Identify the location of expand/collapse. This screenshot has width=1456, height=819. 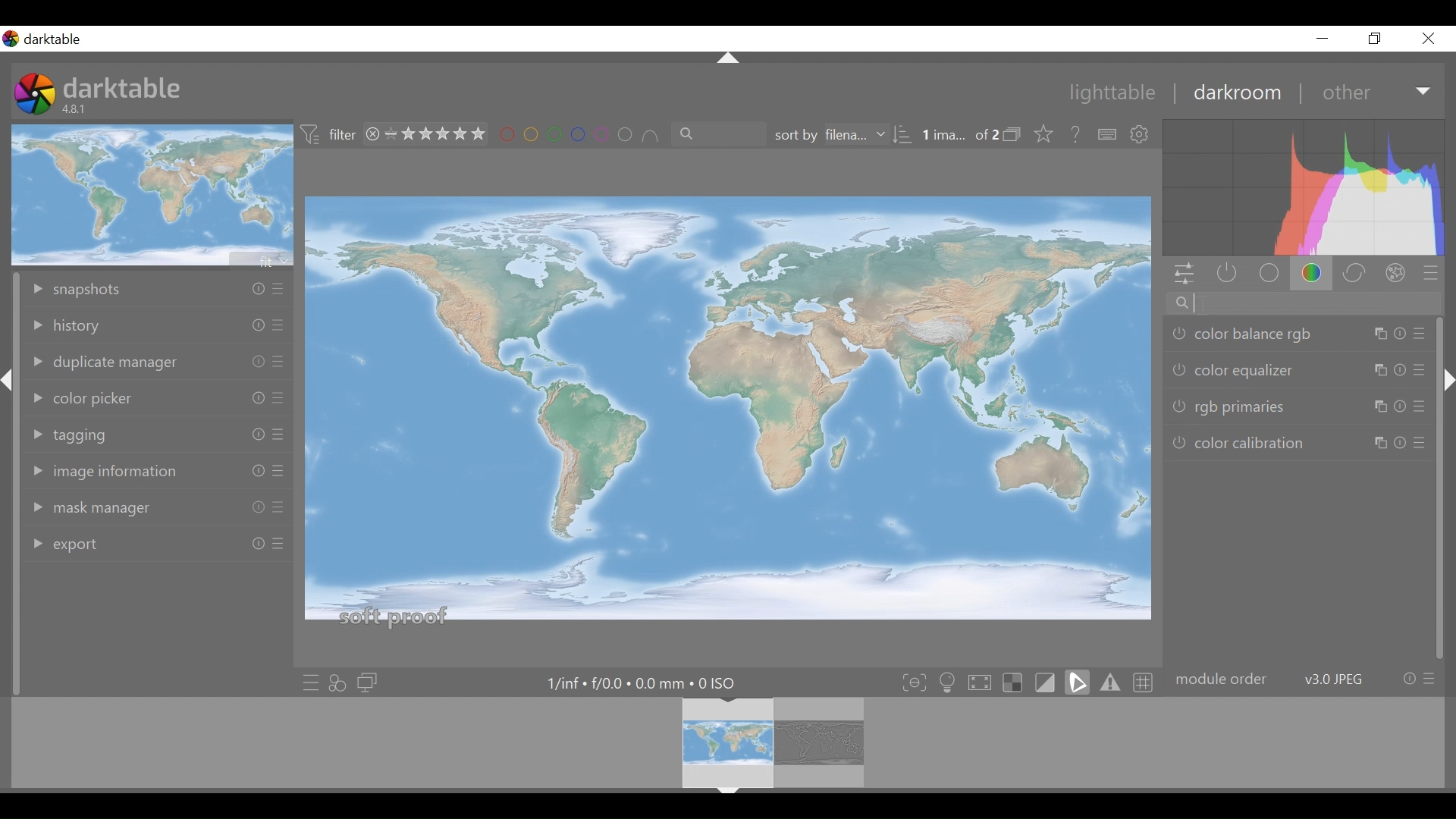
(727, 58).